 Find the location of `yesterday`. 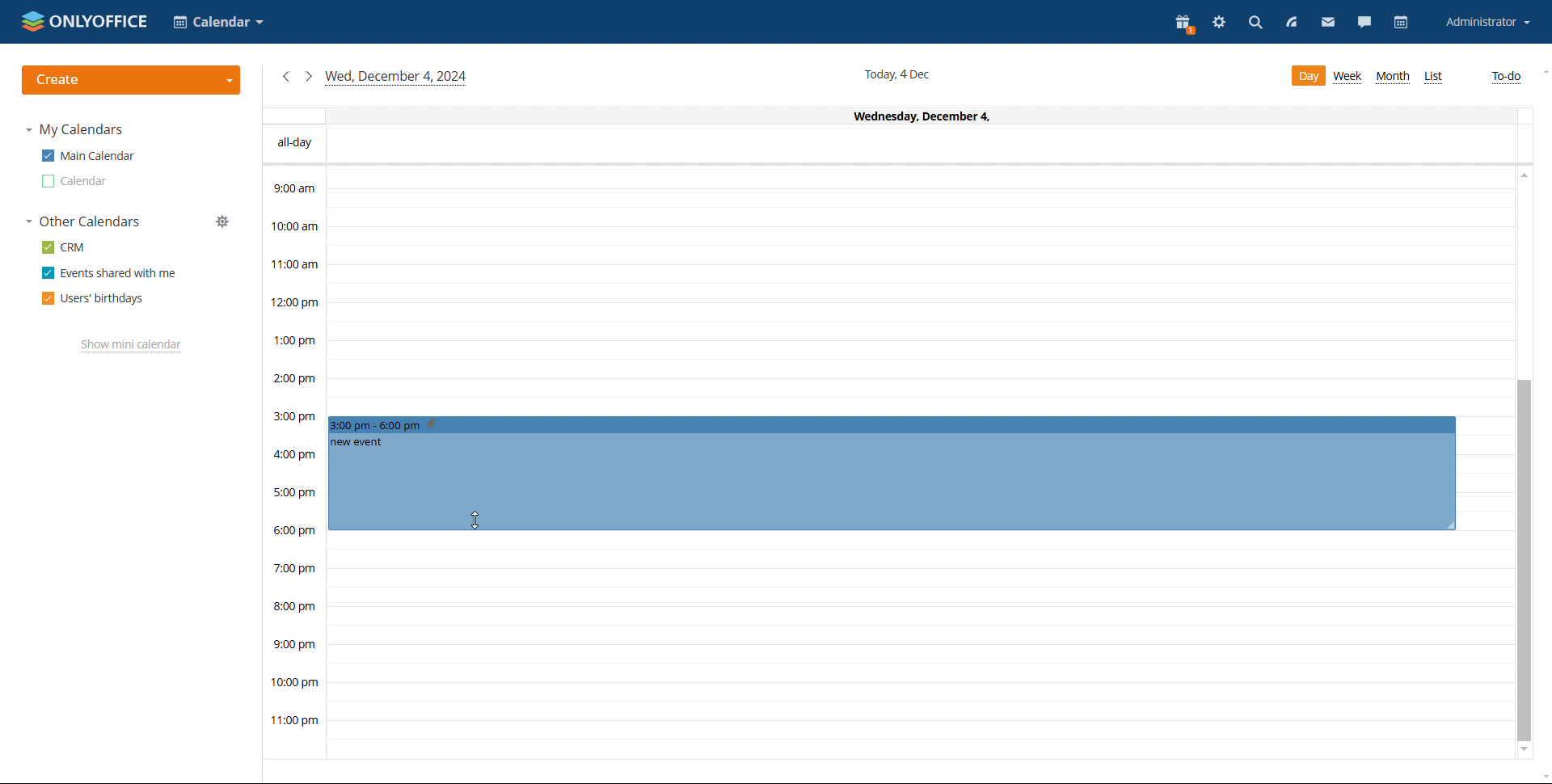

yesterday is located at coordinates (285, 77).